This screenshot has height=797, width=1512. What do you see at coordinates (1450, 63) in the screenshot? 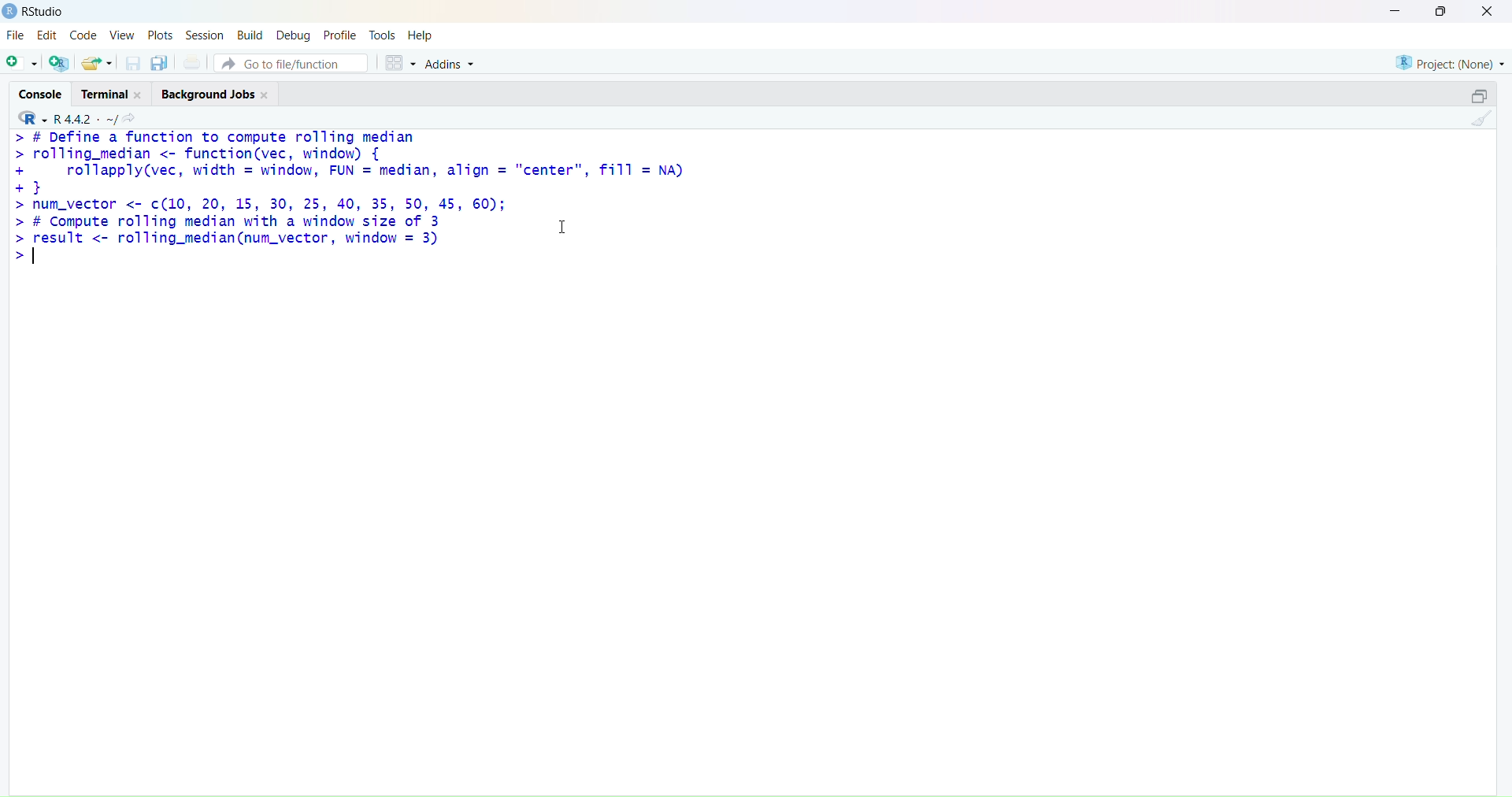
I see `project (none)` at bounding box center [1450, 63].